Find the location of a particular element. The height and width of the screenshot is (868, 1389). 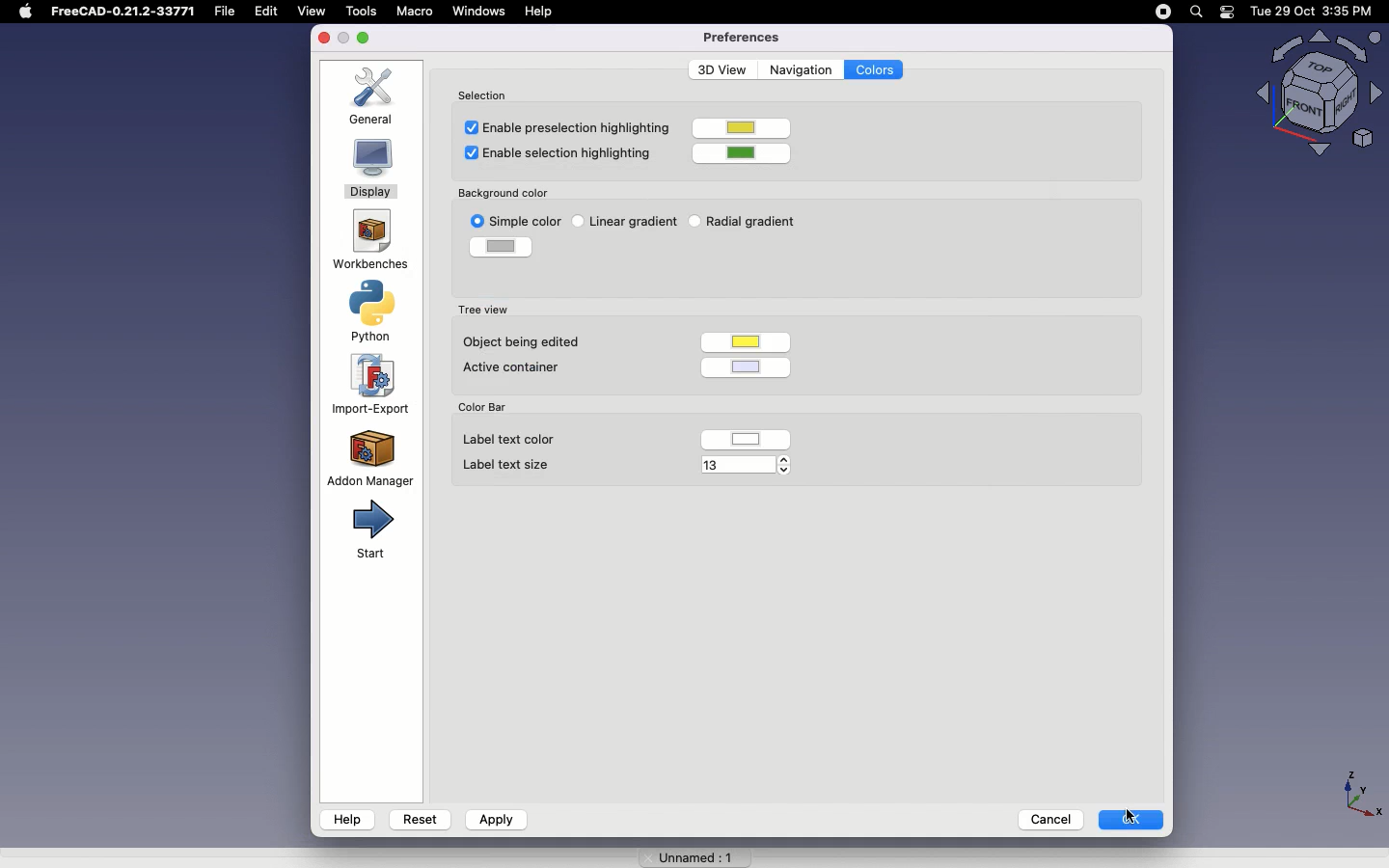

Python is located at coordinates (376, 312).